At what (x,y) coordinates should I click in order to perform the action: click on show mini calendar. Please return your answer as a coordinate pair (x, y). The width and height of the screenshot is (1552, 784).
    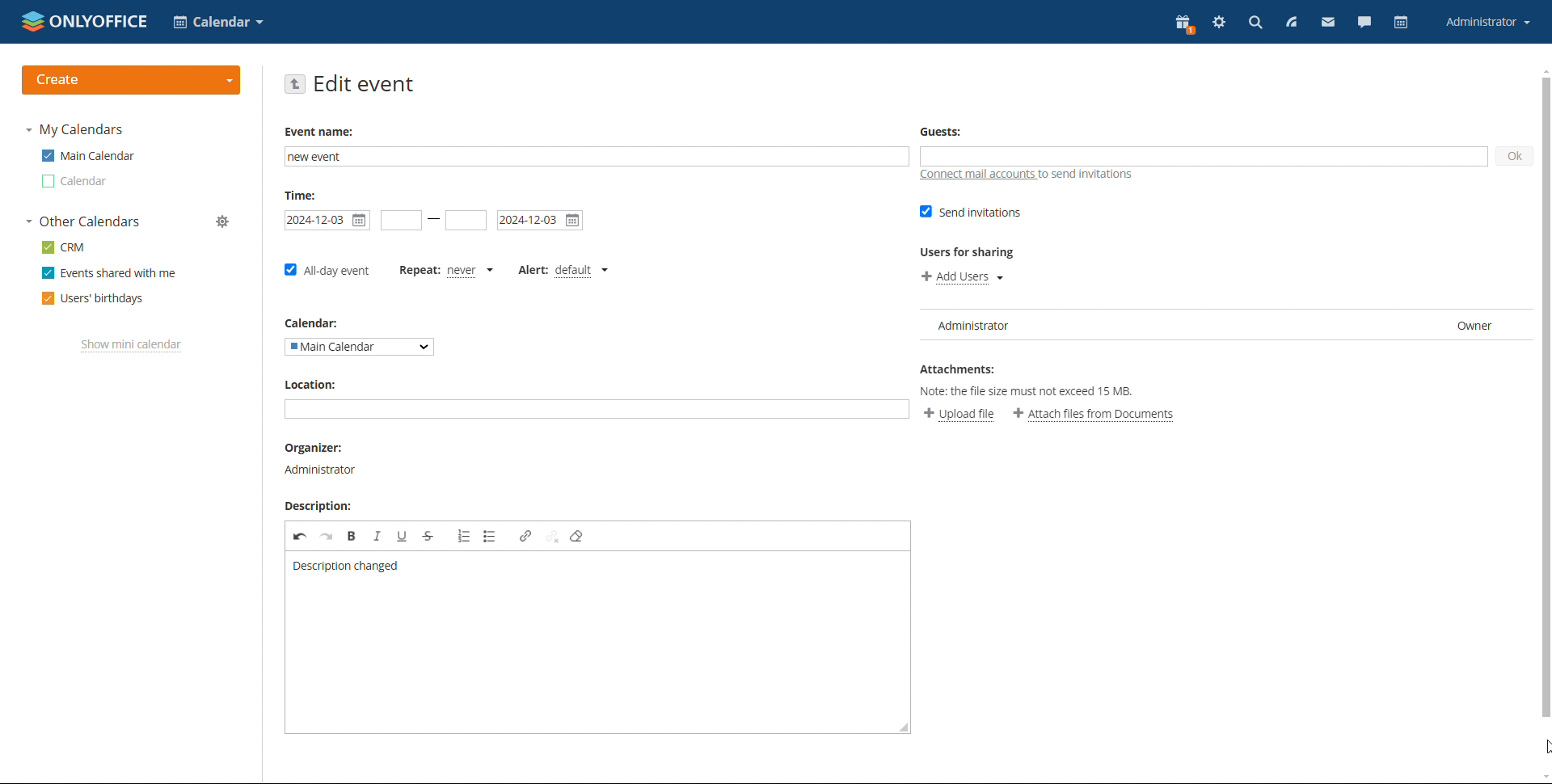
    Looking at the image, I should click on (132, 346).